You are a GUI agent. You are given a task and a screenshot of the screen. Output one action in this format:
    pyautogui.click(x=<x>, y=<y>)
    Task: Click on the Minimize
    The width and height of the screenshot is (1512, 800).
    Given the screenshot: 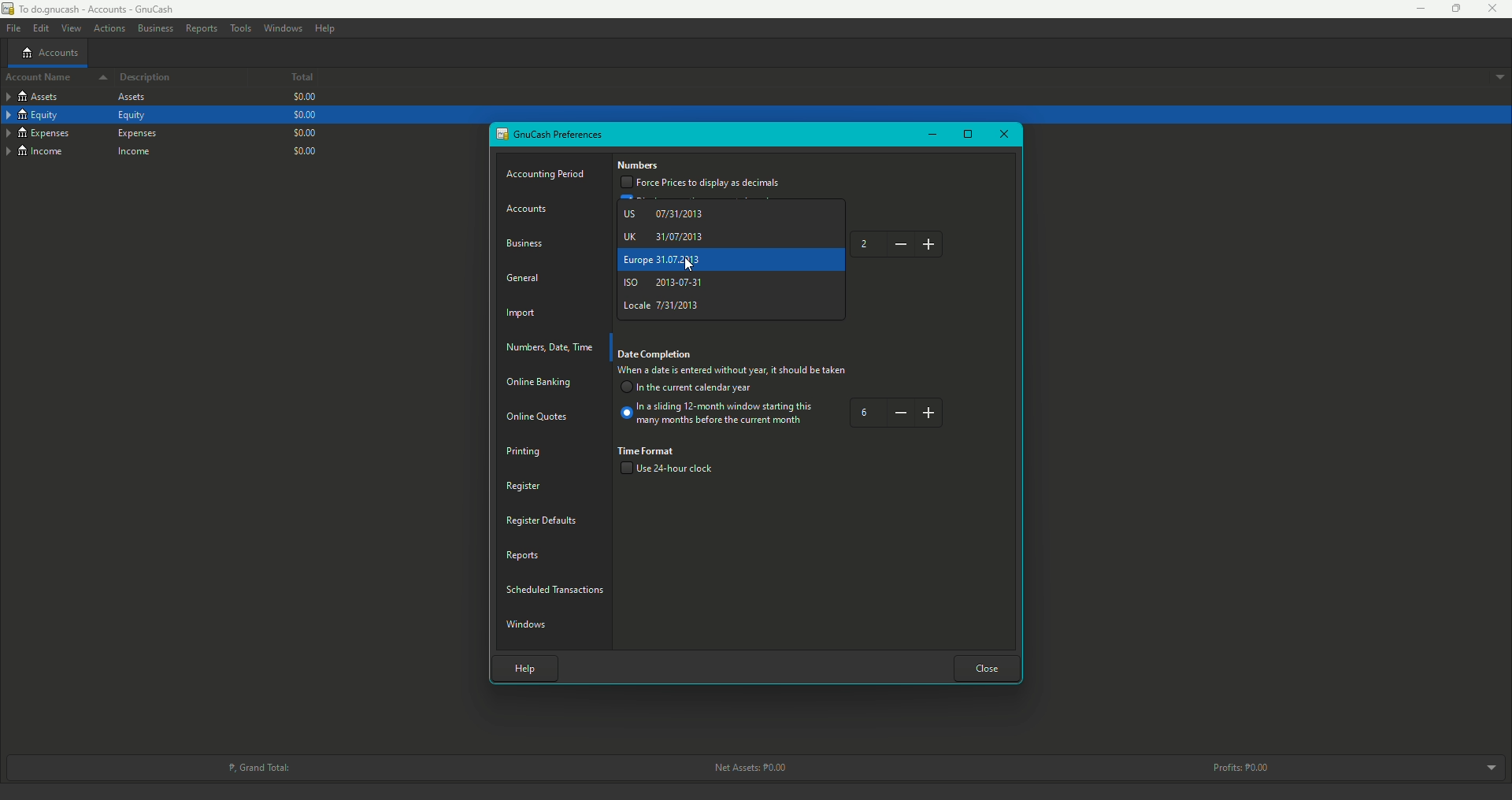 What is the action you would take?
    pyautogui.click(x=1415, y=9)
    